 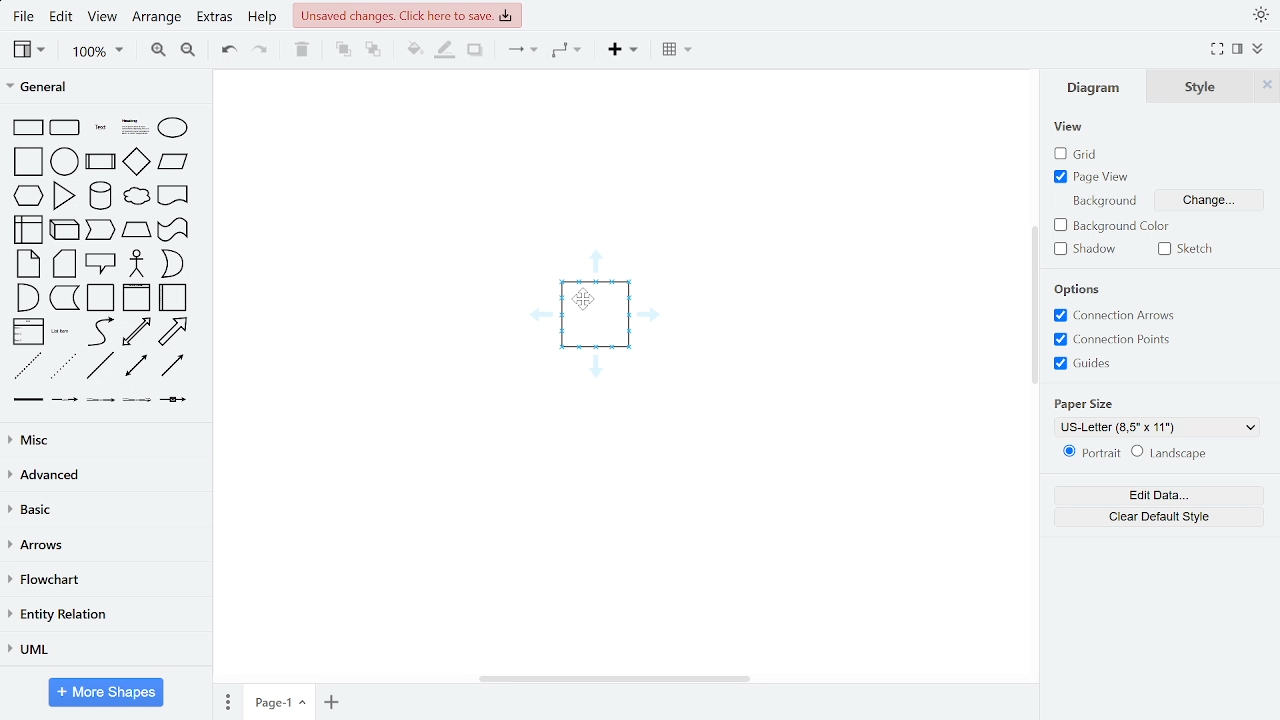 I want to click on general, so click(x=102, y=86).